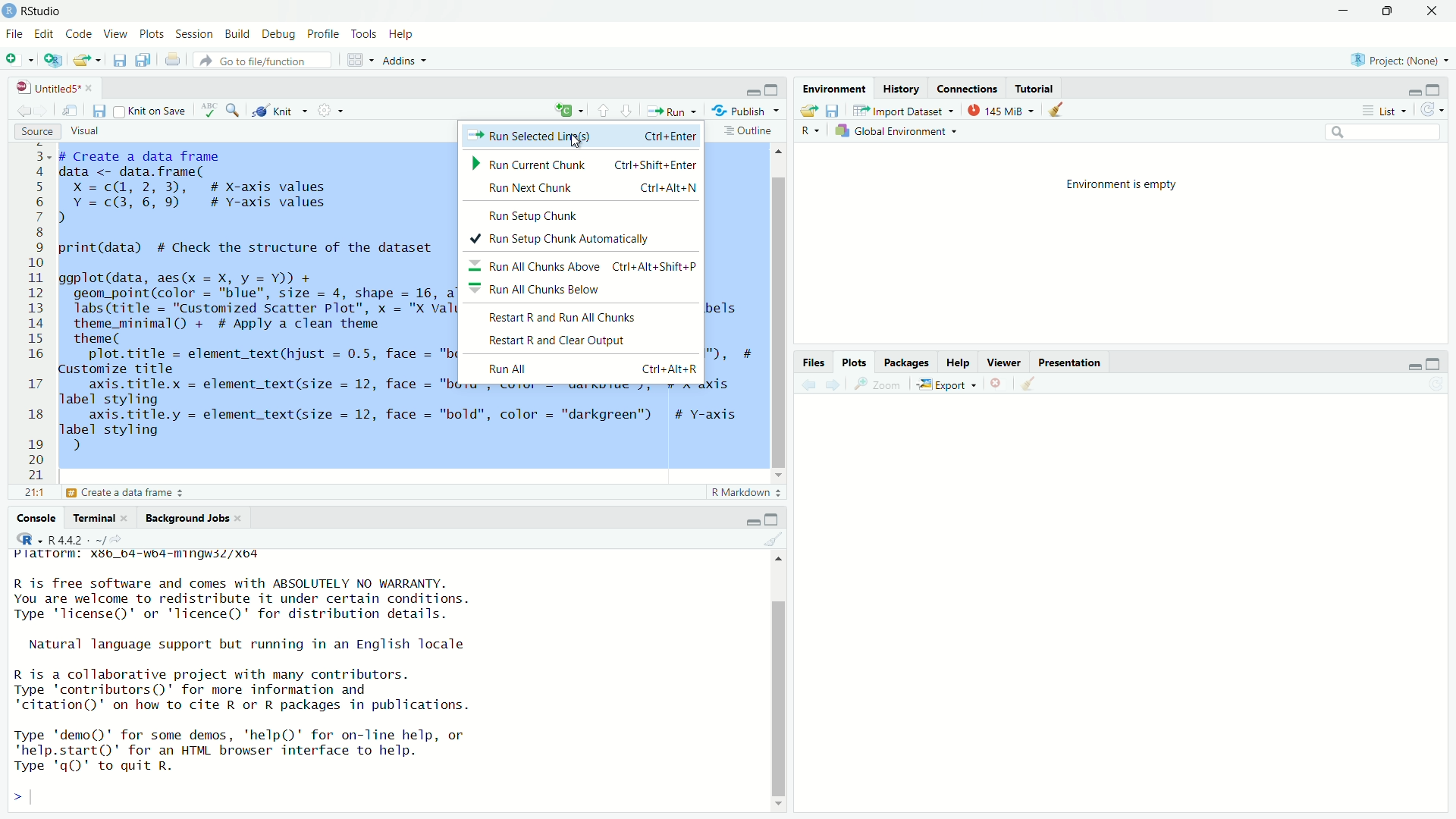 The height and width of the screenshot is (819, 1456). I want to click on Go to file/function, so click(262, 60).